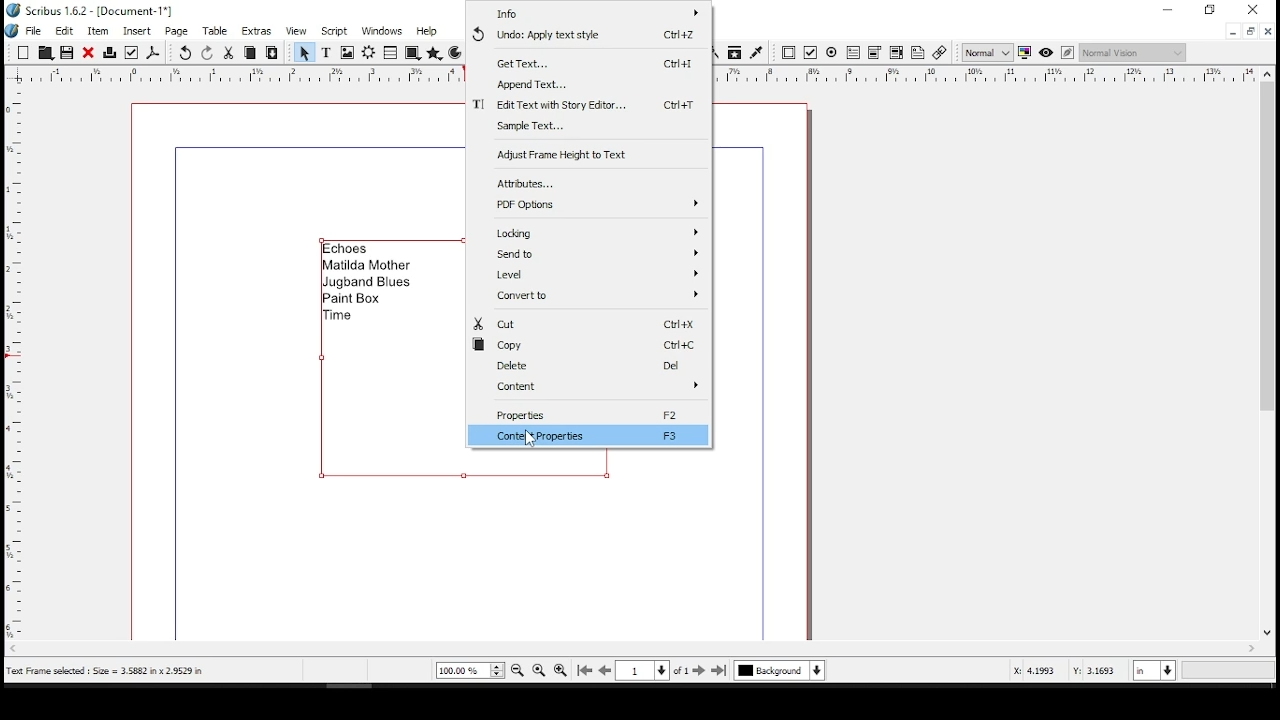 The width and height of the screenshot is (1280, 720). Describe the element at coordinates (589, 255) in the screenshot. I see `send to` at that location.